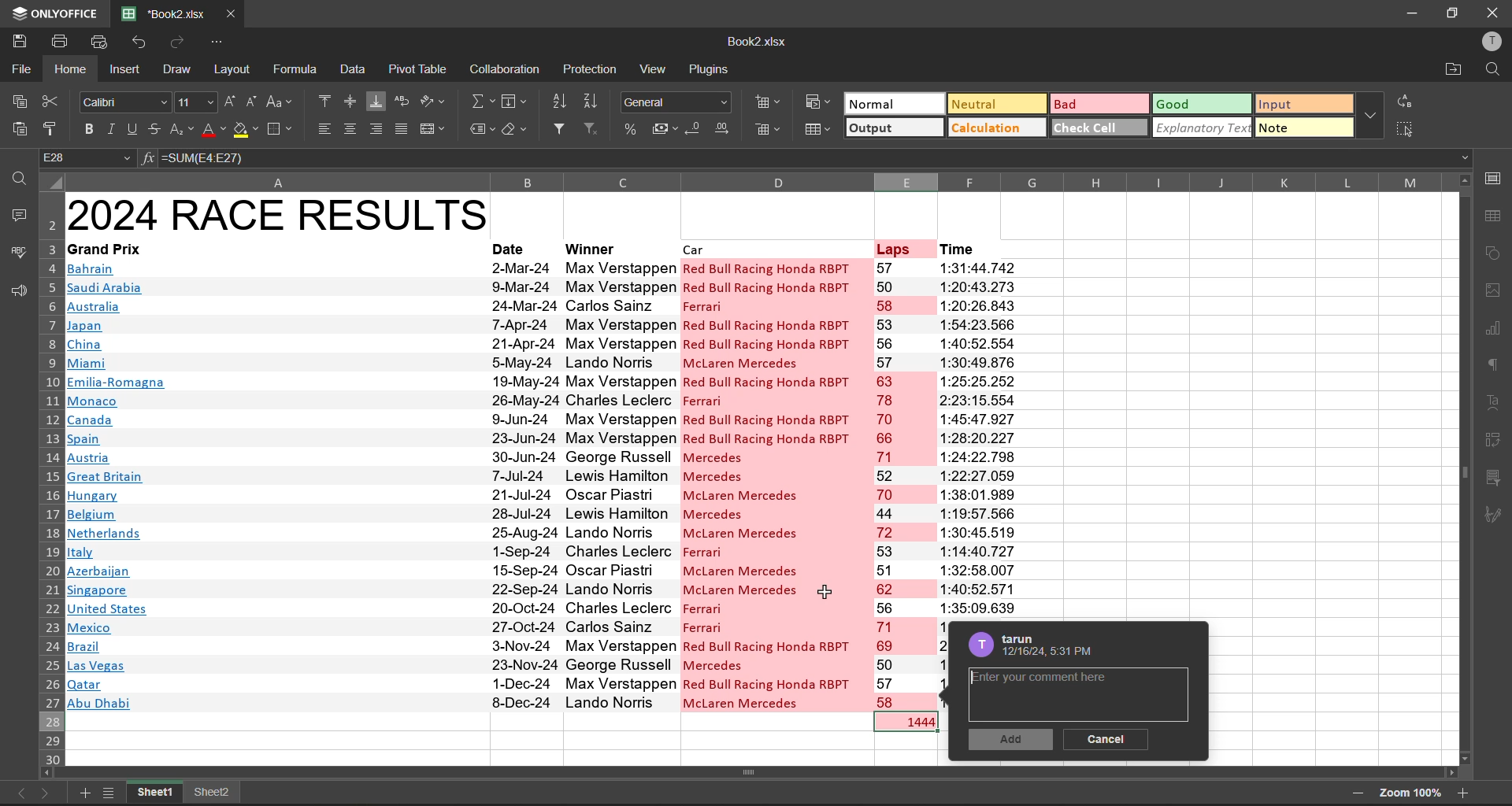 Image resolution: width=1512 pixels, height=806 pixels. Describe the element at coordinates (619, 483) in the screenshot. I see `winners` at that location.